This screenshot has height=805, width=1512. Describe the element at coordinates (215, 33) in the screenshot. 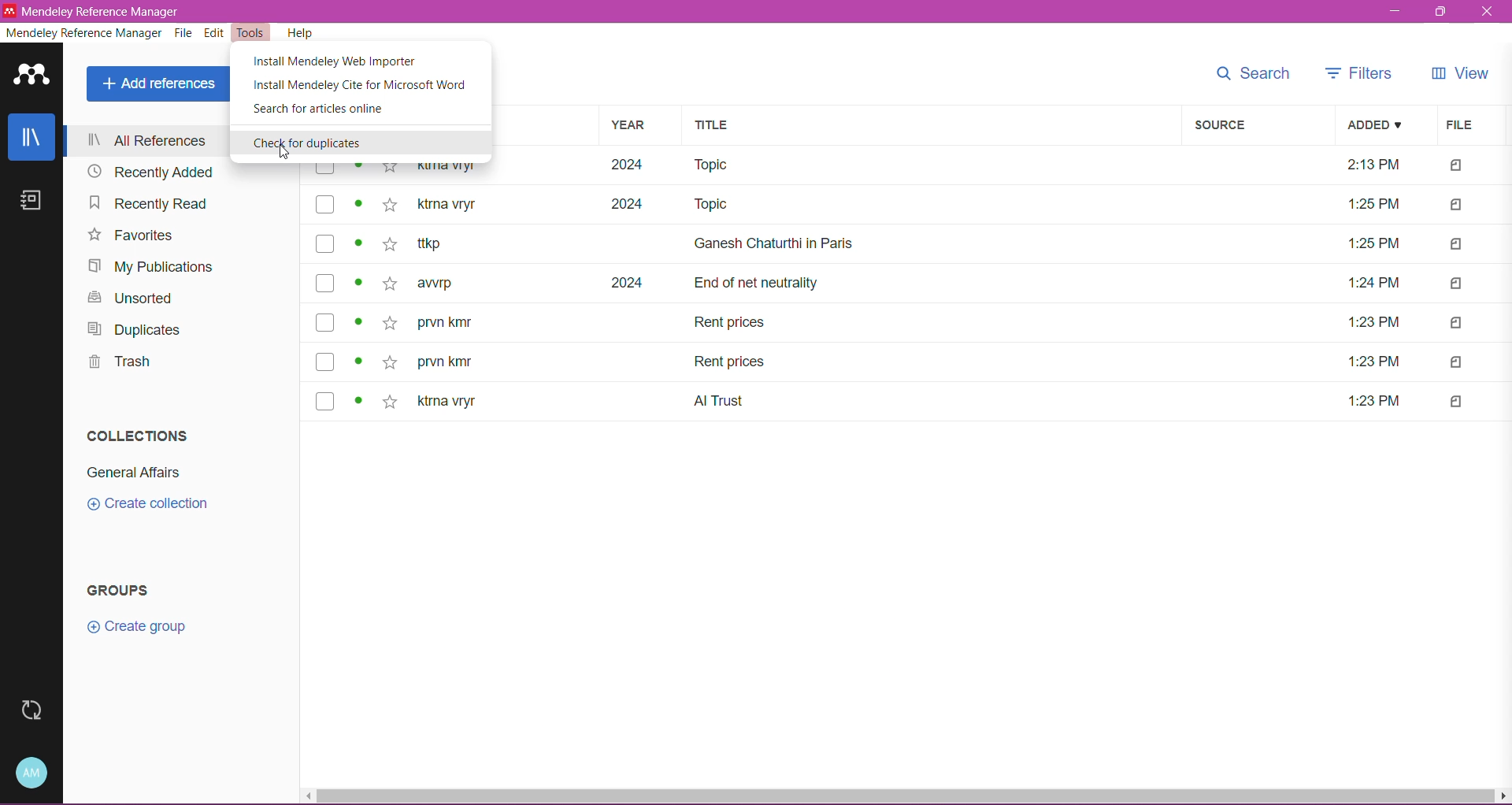

I see `Edit` at that location.